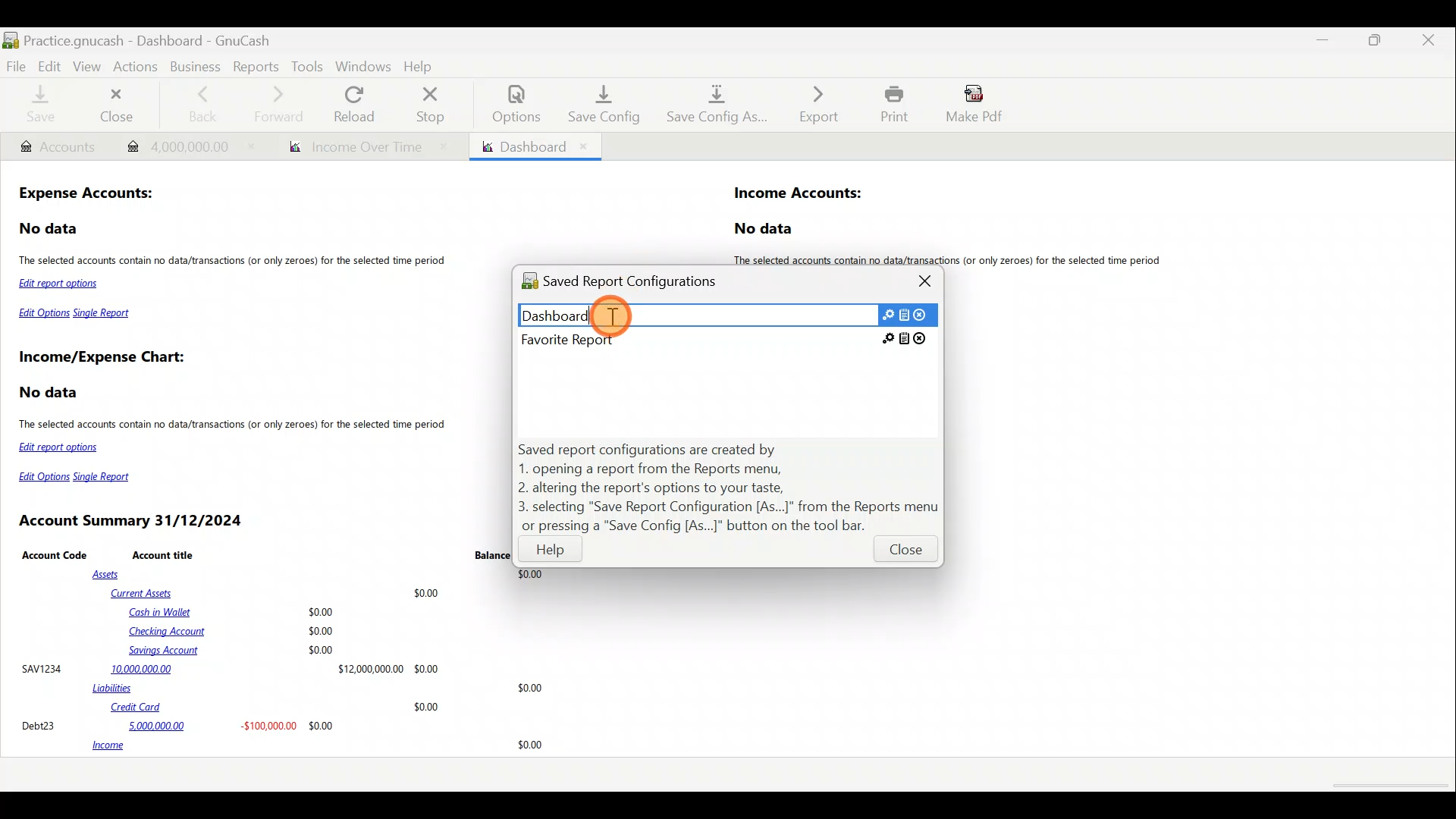  I want to click on Actions, so click(139, 71).